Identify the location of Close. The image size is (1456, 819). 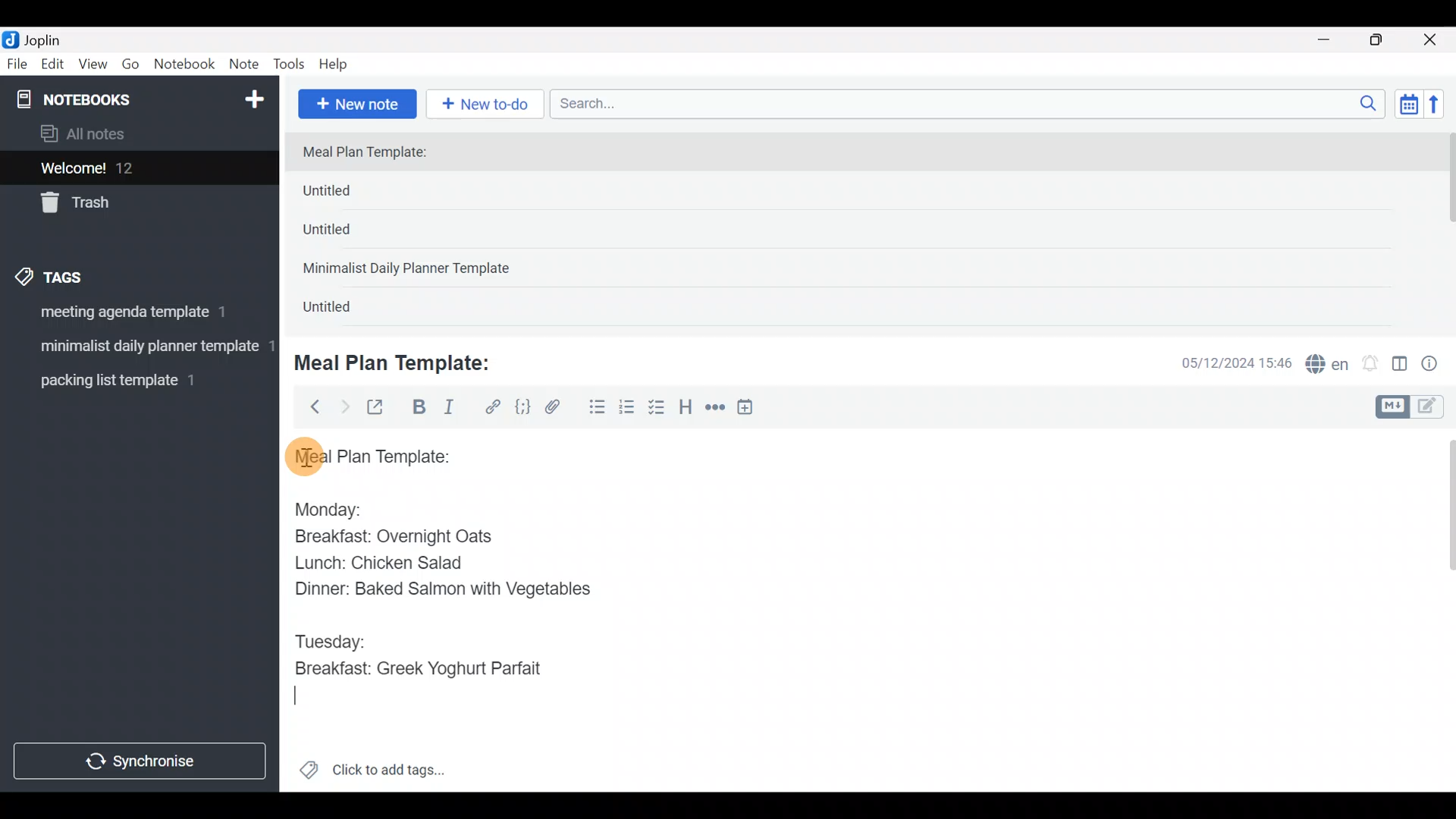
(1432, 41).